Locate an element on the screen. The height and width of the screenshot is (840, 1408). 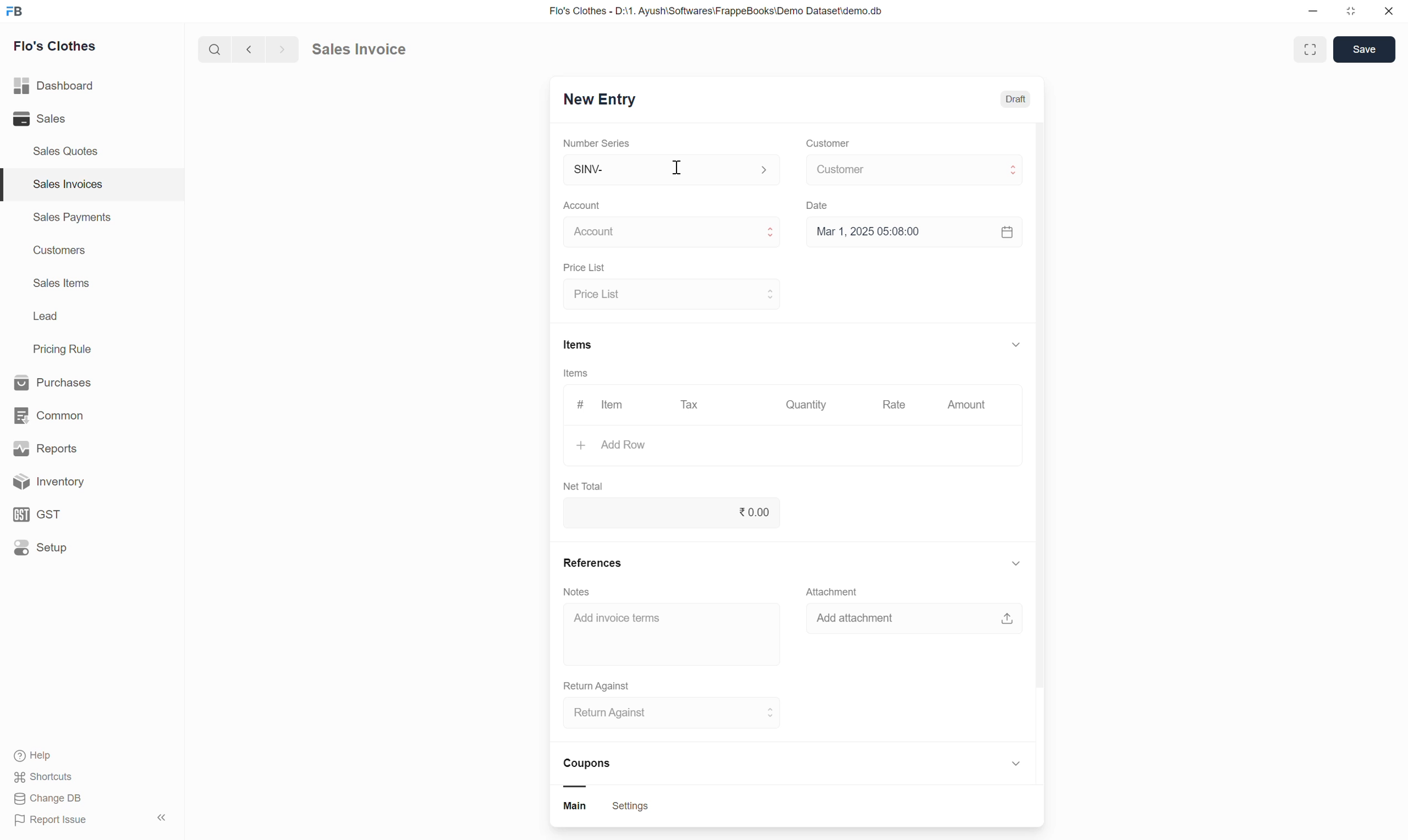
Sales  is located at coordinates (64, 119).